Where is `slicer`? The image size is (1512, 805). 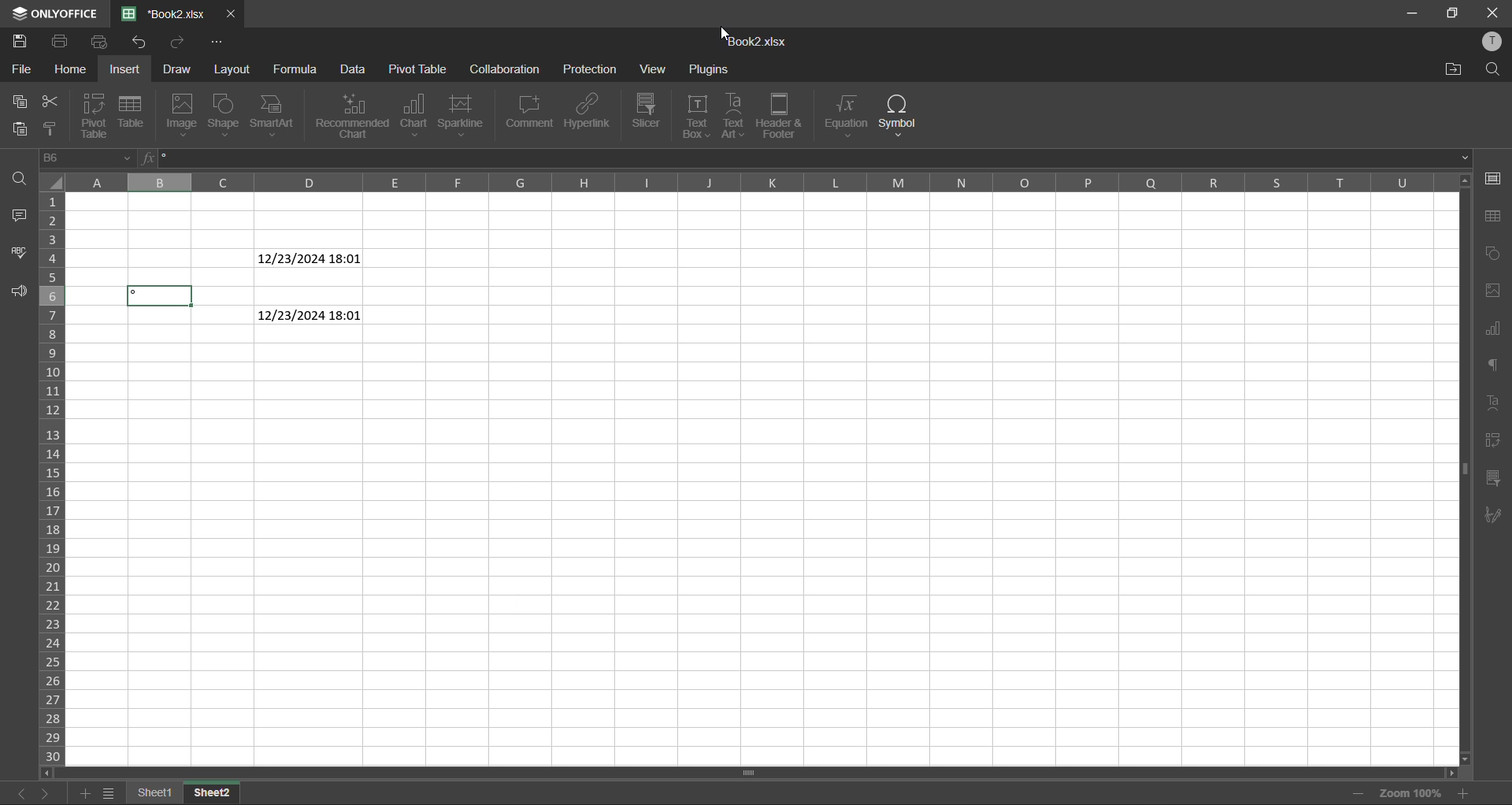
slicer is located at coordinates (1495, 480).